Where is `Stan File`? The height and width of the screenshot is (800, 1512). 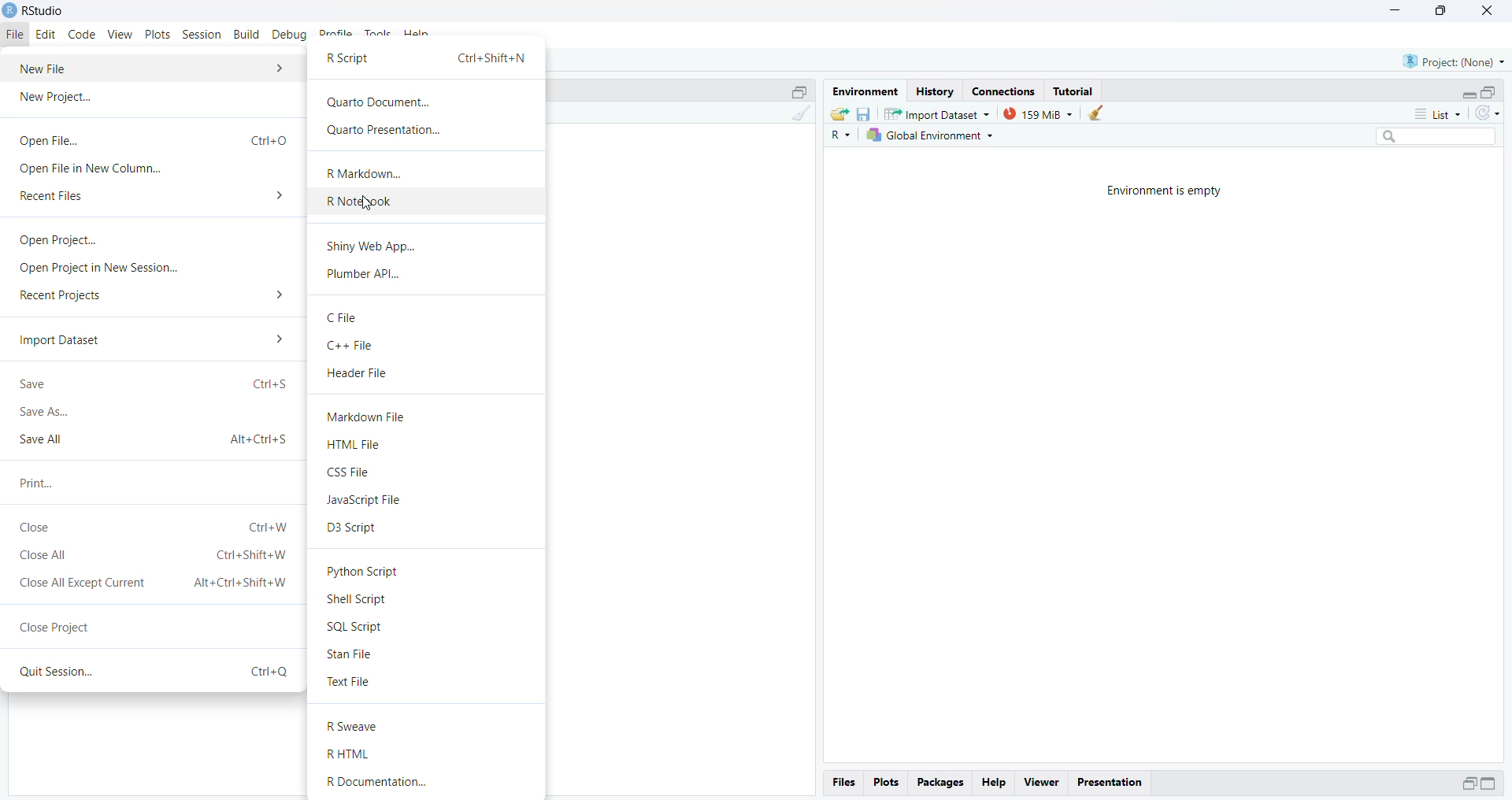
Stan File is located at coordinates (353, 655).